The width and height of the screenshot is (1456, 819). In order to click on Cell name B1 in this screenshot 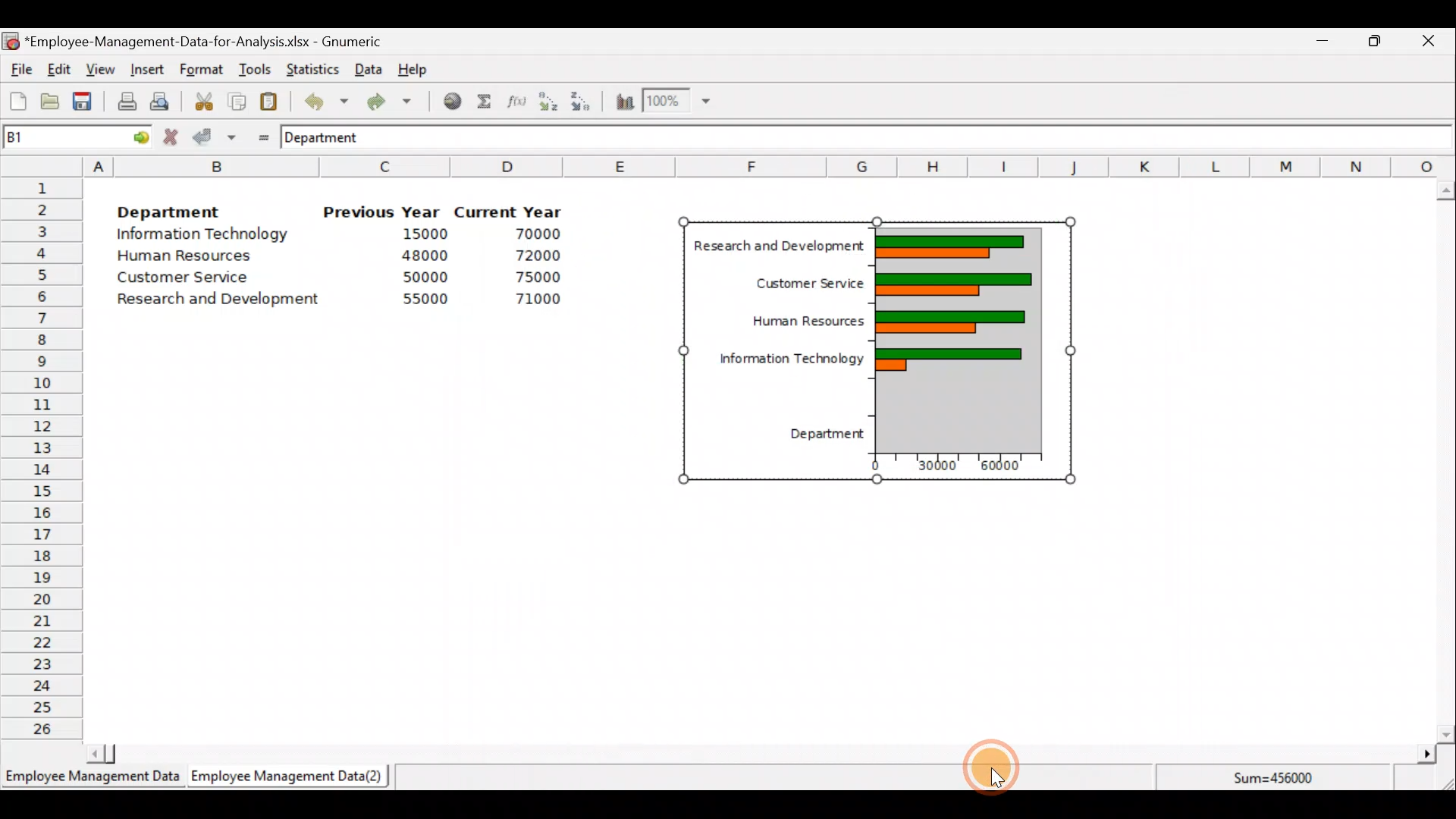, I will do `click(58, 136)`.